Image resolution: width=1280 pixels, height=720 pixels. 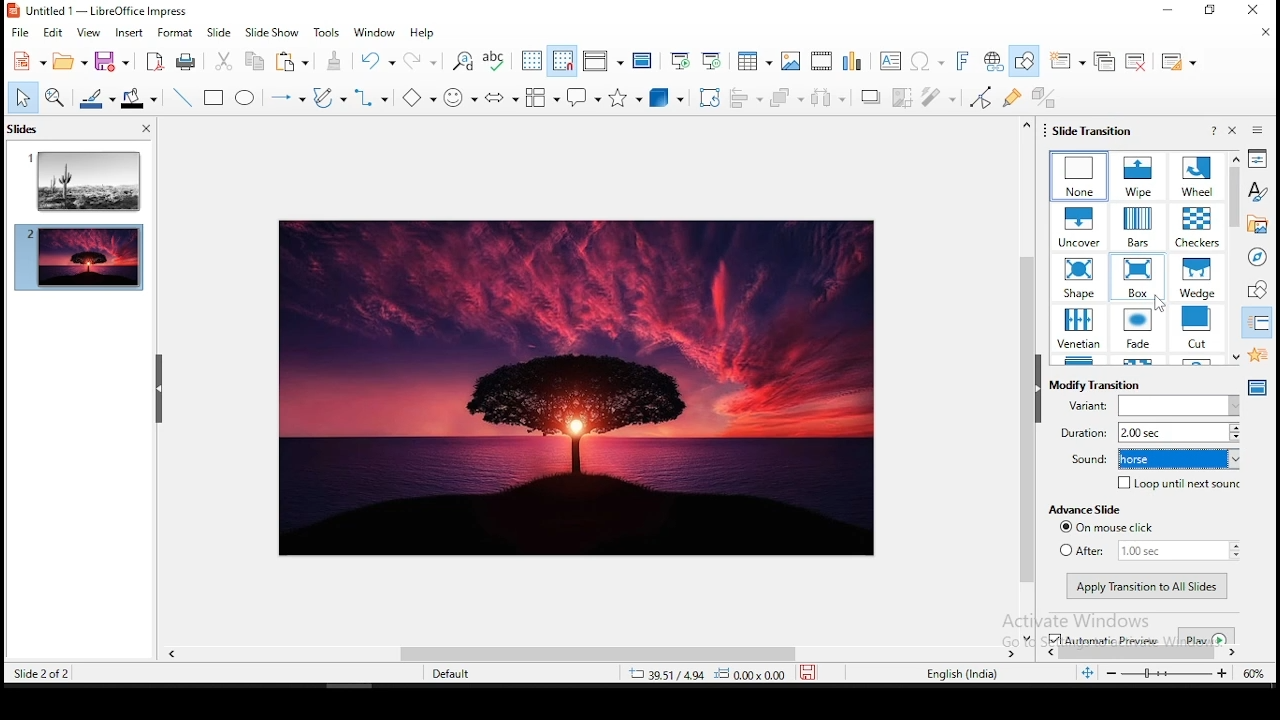 I want to click on shadow, so click(x=870, y=97).